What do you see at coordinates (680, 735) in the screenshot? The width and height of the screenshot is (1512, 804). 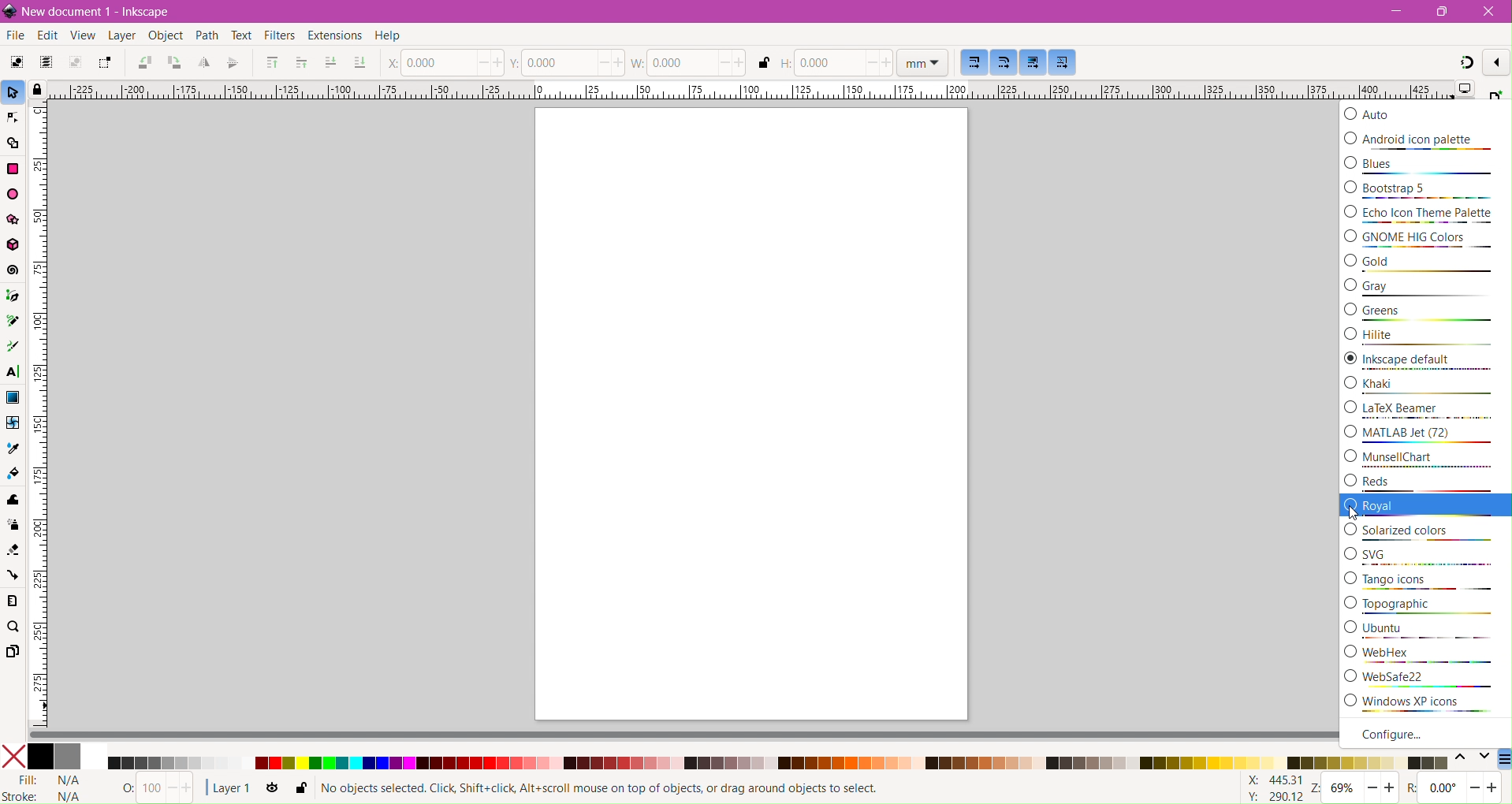 I see `Horizontal Scroll Bar` at bounding box center [680, 735].